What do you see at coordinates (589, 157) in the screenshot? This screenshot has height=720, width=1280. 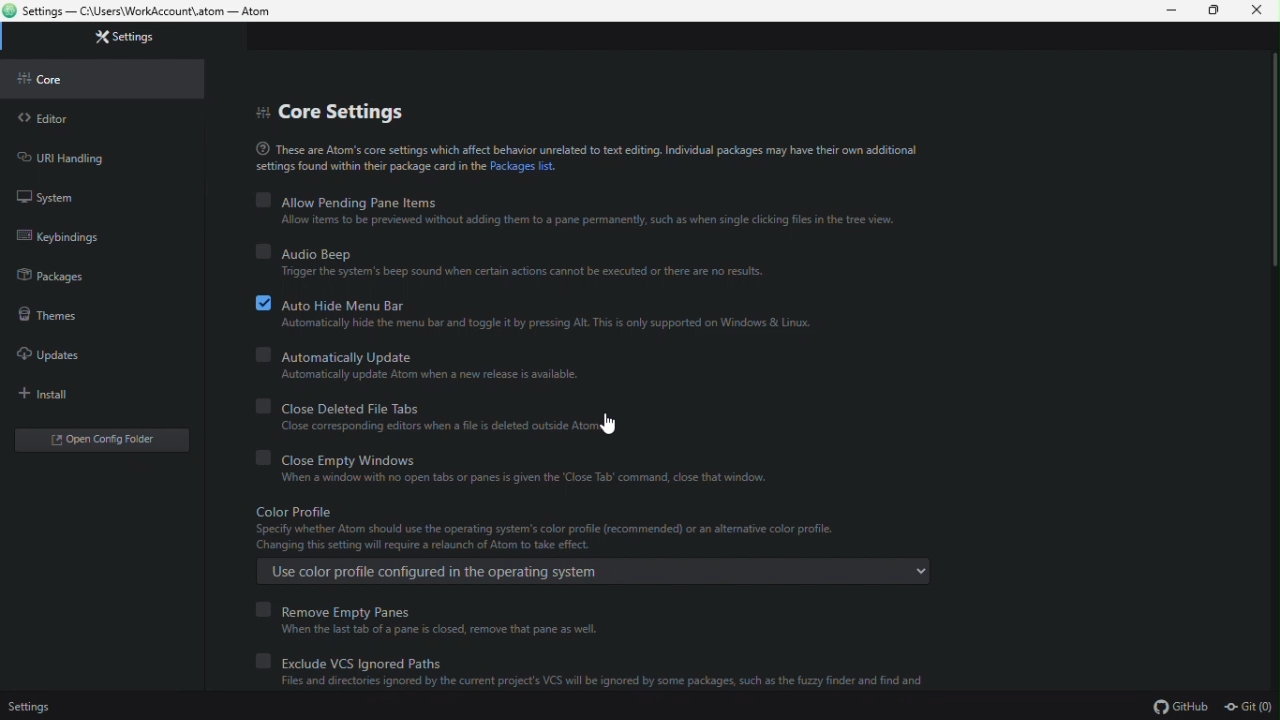 I see `® These are Atom's core settings which affect behavior unrelated to text editing. Individual packages may have their own additional
settings found within thei package card in the Peckages lst` at bounding box center [589, 157].